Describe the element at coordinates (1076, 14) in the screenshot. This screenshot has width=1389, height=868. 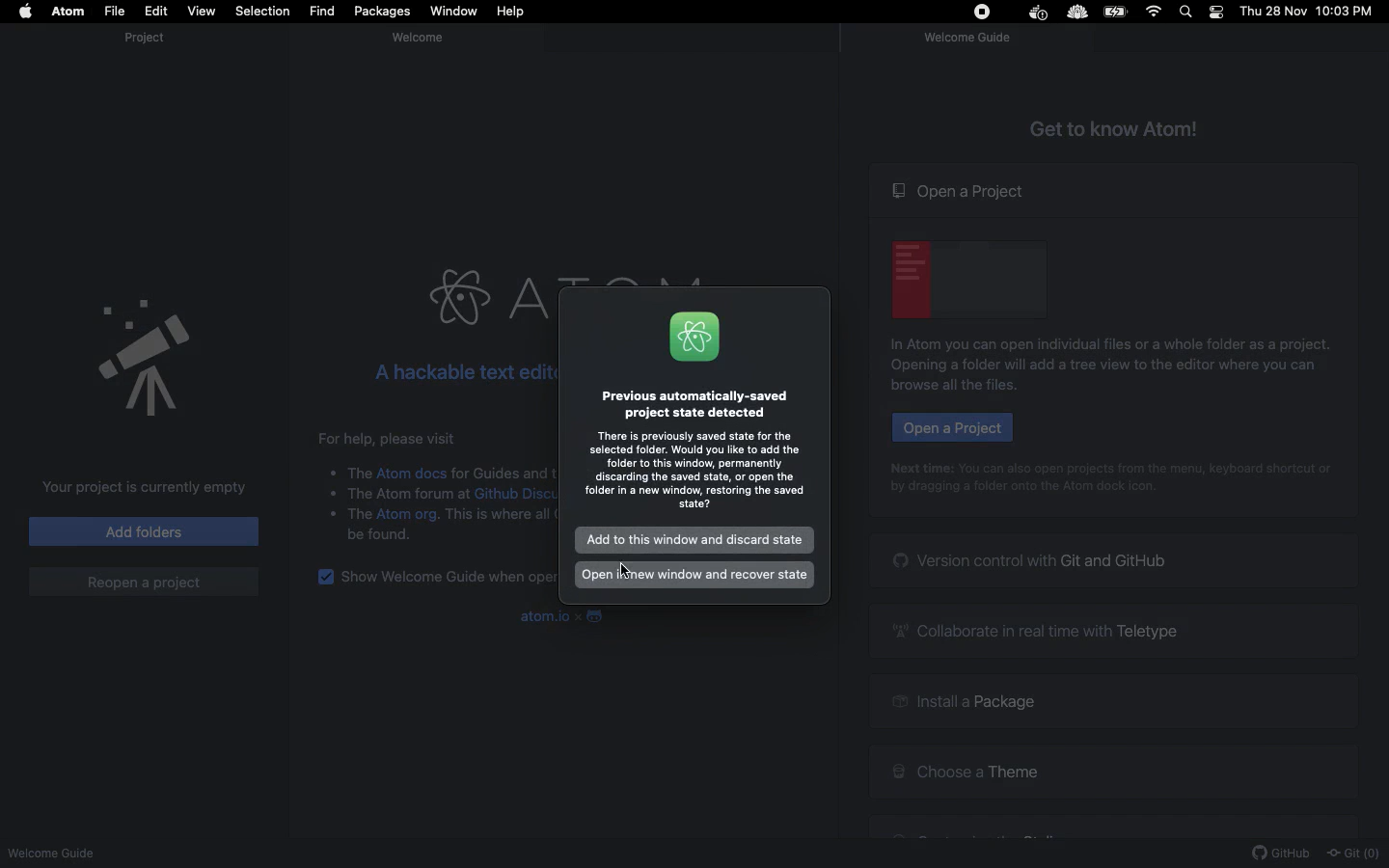
I see `` at that location.